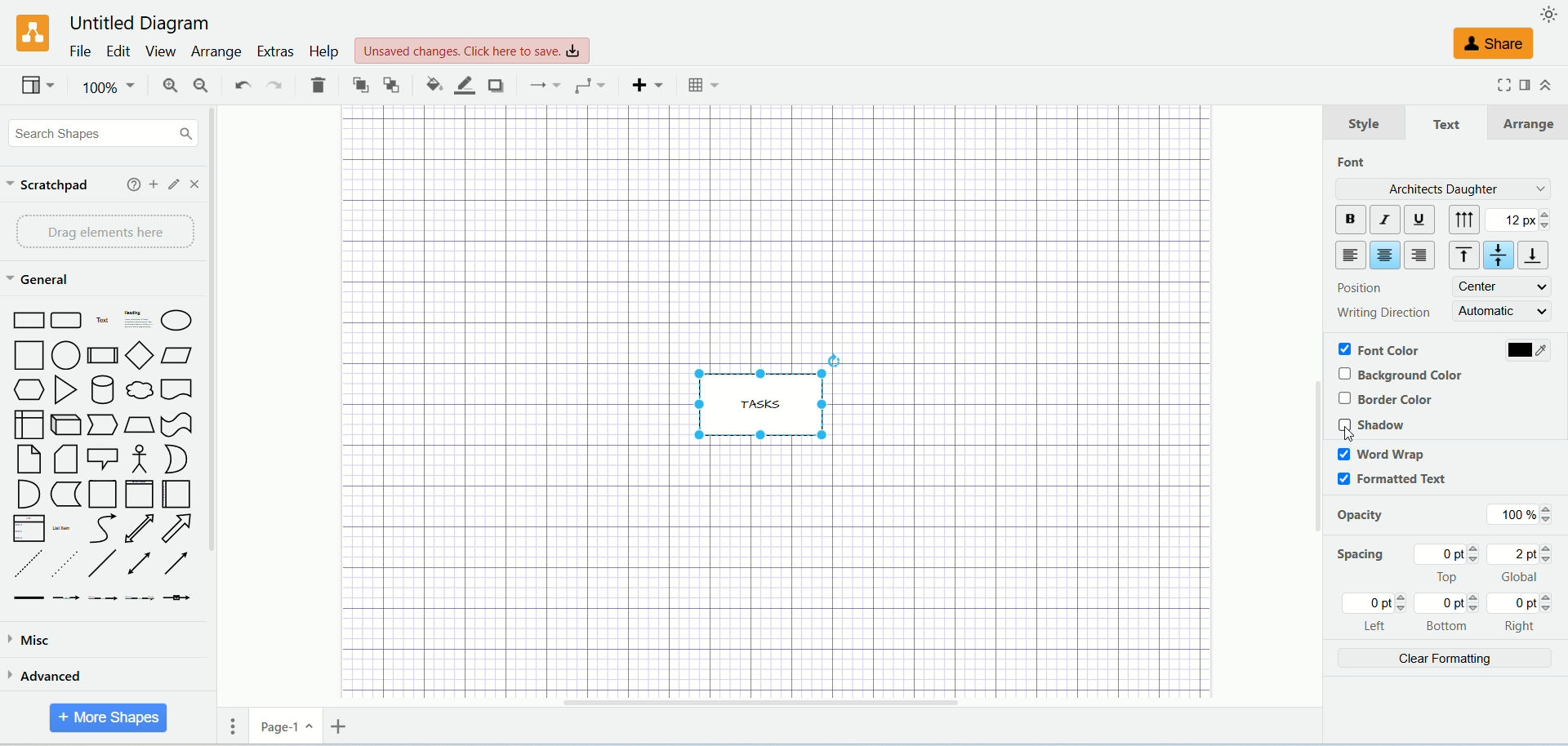 The height and width of the screenshot is (746, 1568). Describe the element at coordinates (1532, 121) in the screenshot. I see `arrange` at that location.